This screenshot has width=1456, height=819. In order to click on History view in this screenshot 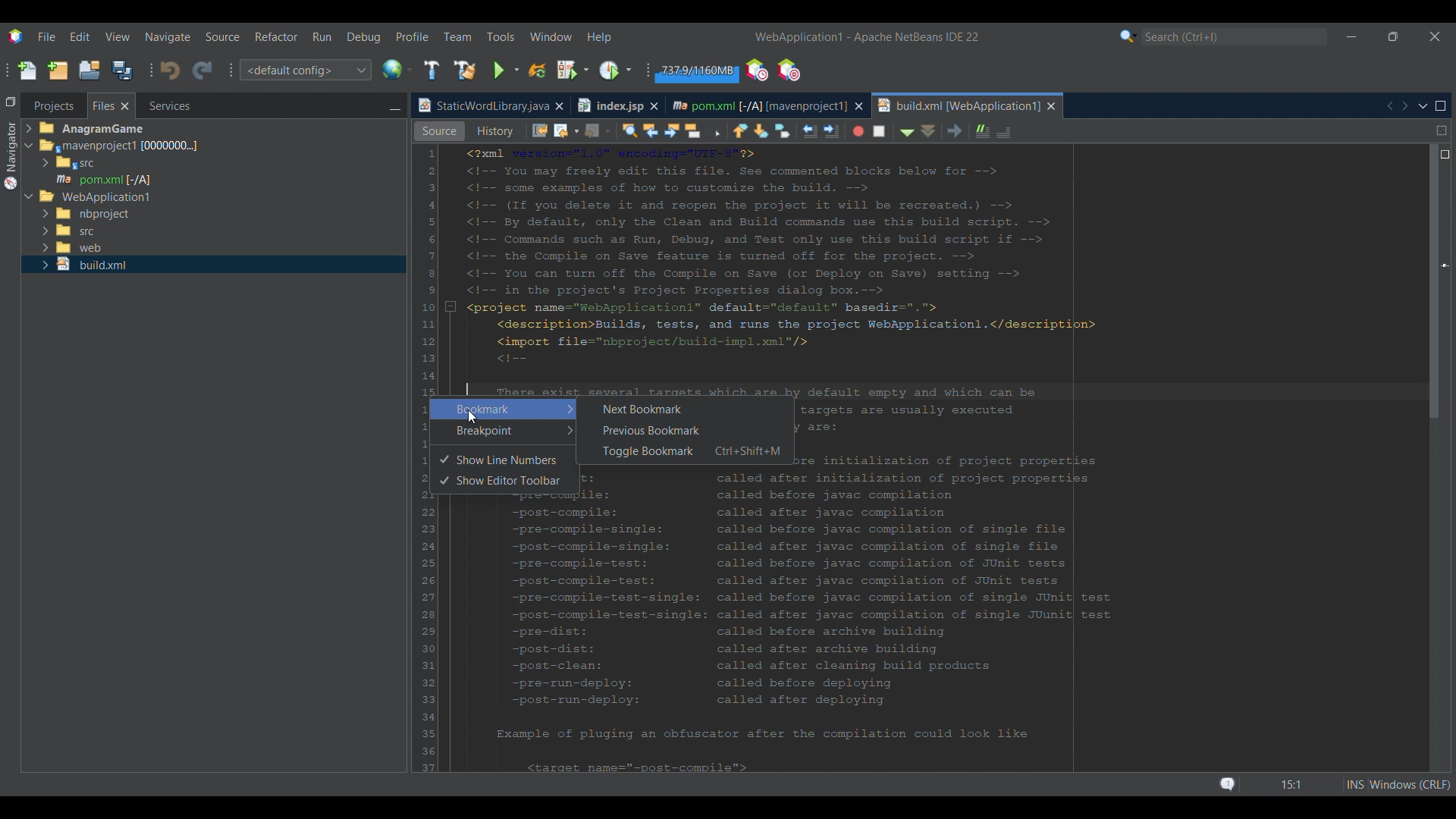, I will do `click(624, 129)`.